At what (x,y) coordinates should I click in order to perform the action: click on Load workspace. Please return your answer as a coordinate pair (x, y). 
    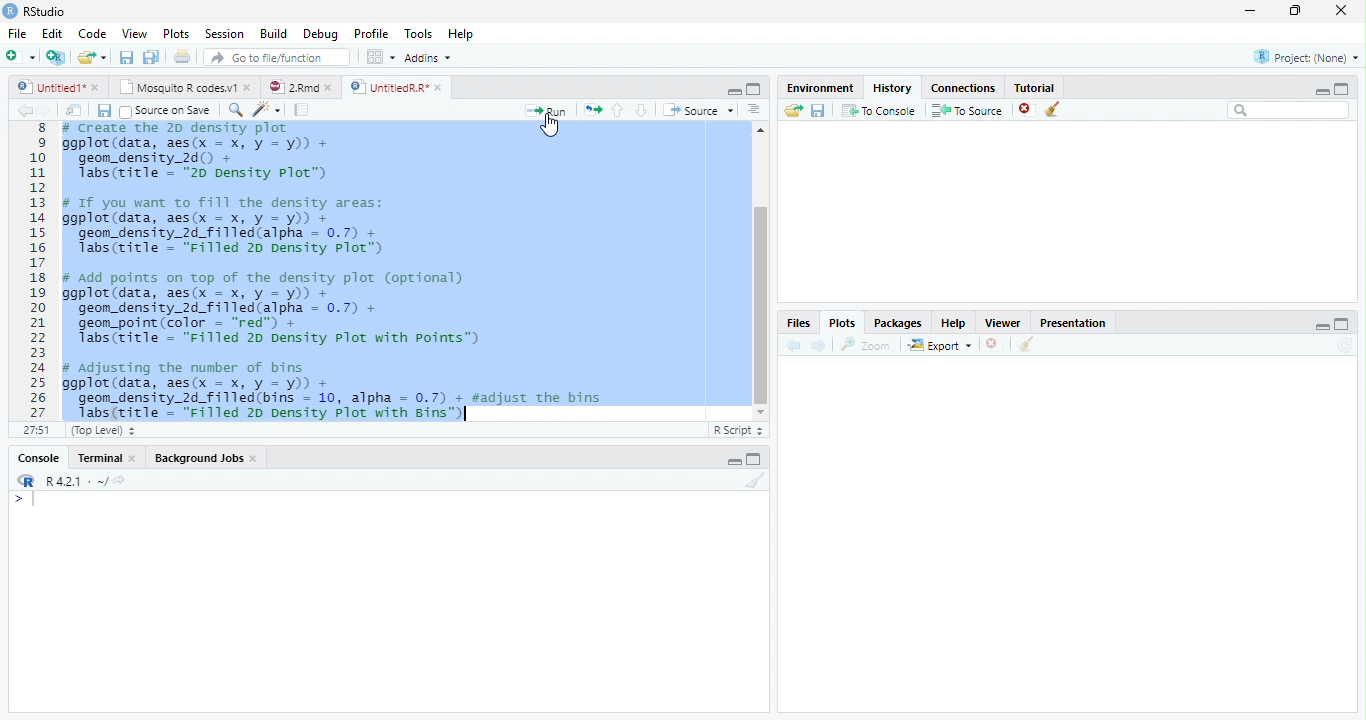
    Looking at the image, I should click on (791, 111).